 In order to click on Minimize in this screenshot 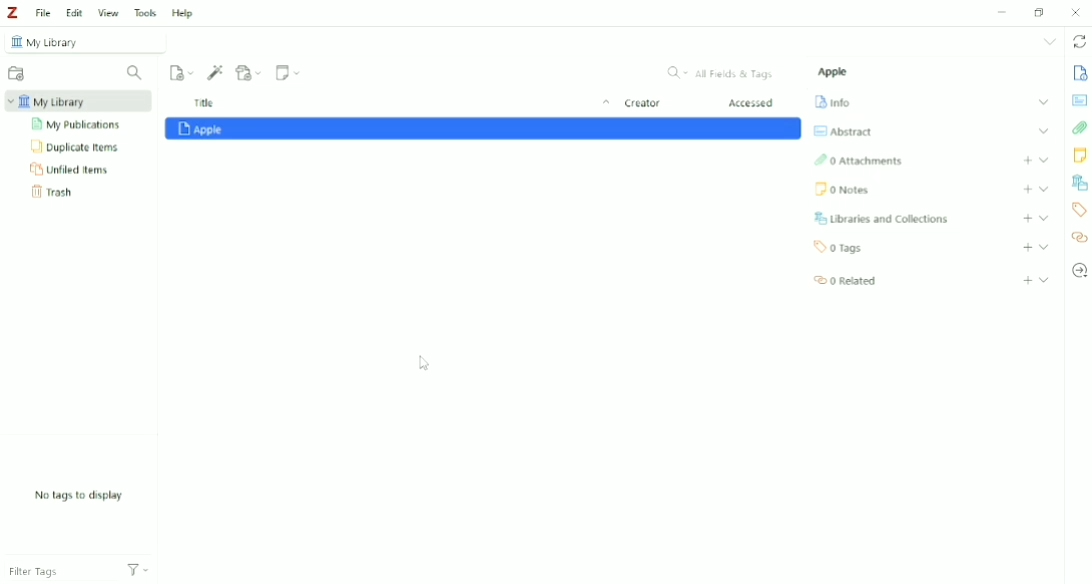, I will do `click(1004, 11)`.